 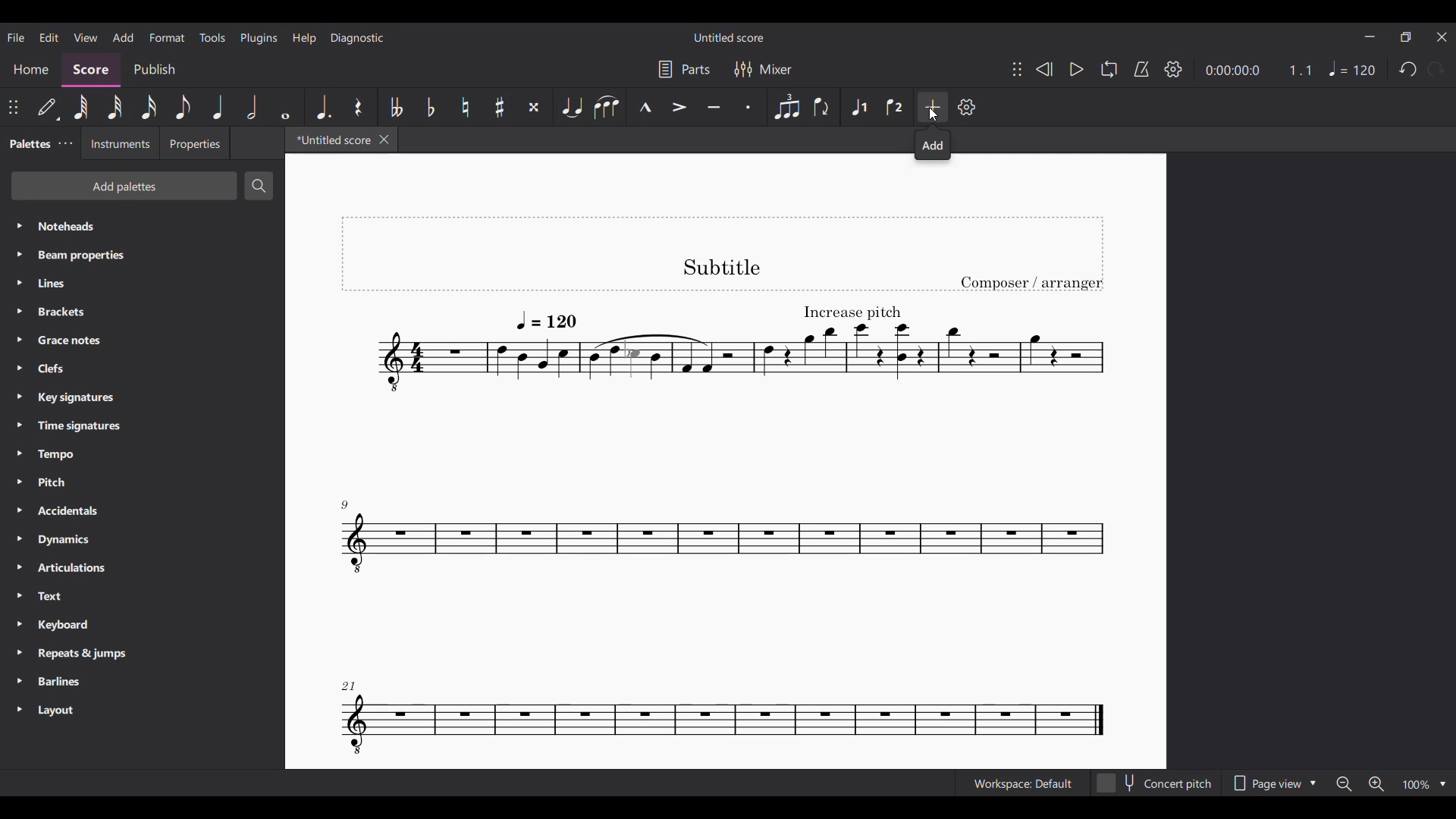 What do you see at coordinates (1078, 69) in the screenshot?
I see `Play` at bounding box center [1078, 69].